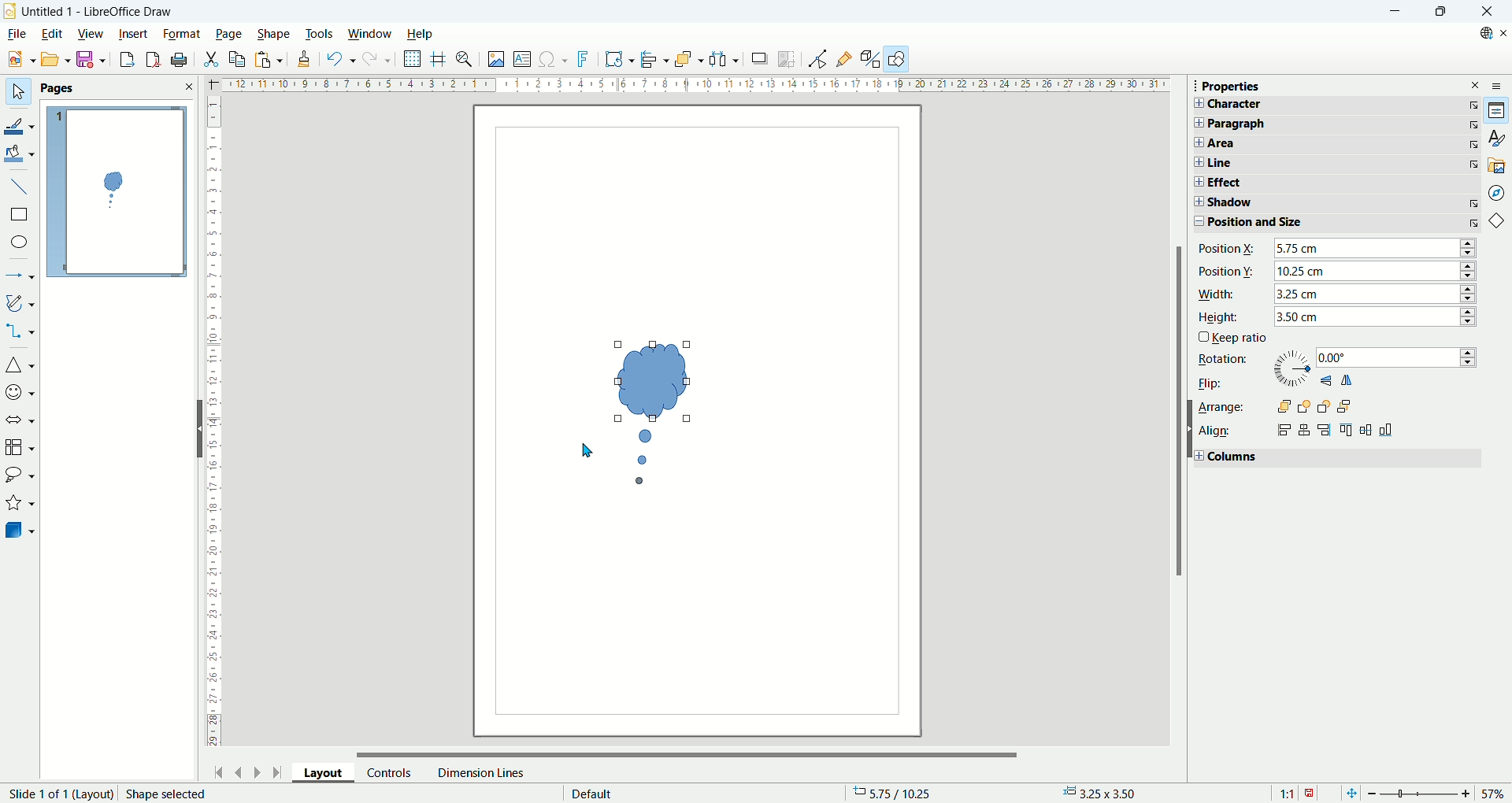 Image resolution: width=1512 pixels, height=803 pixels. Describe the element at coordinates (214, 425) in the screenshot. I see `Vetical ruler` at that location.